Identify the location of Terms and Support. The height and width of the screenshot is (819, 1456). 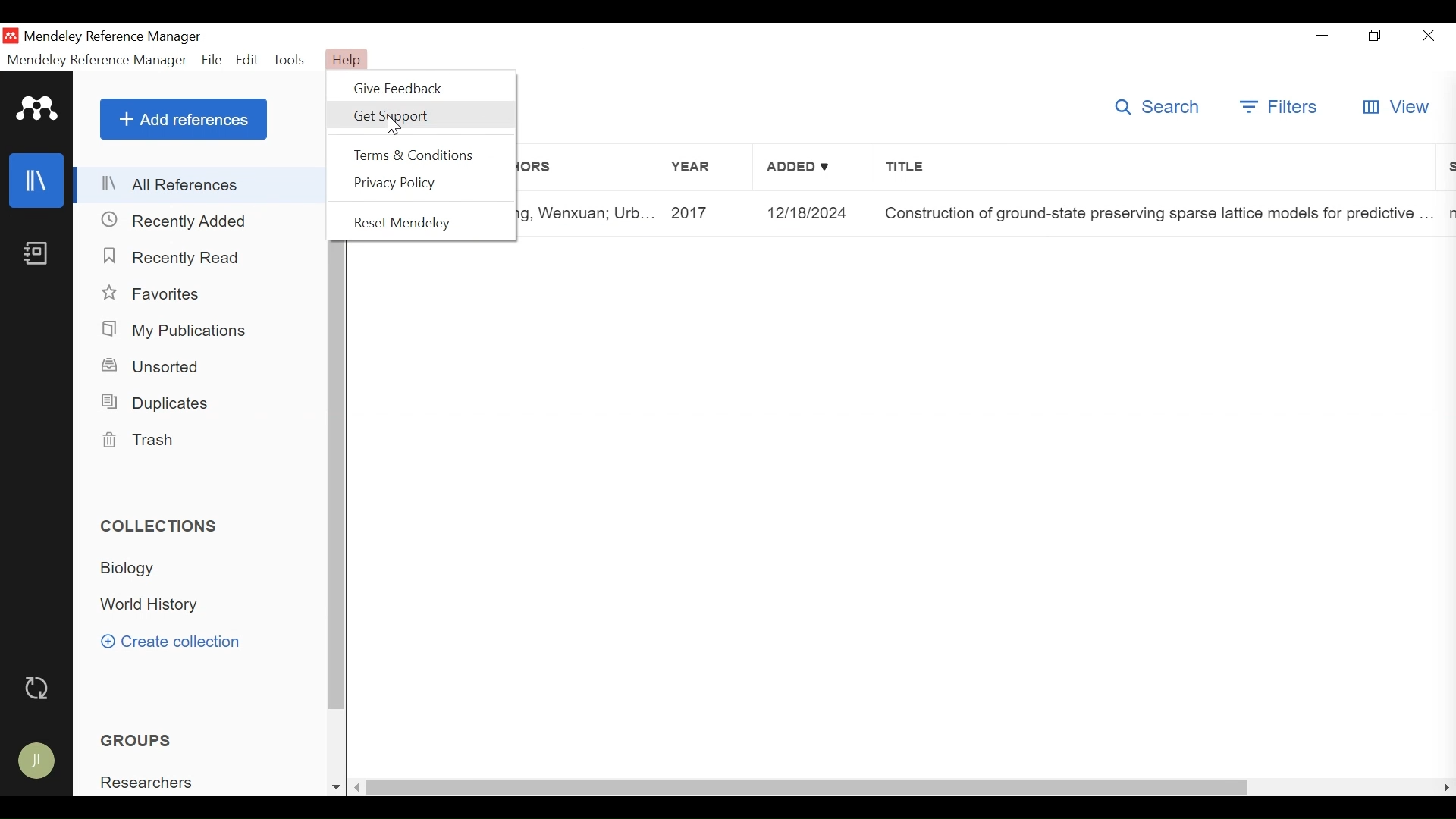
(413, 155).